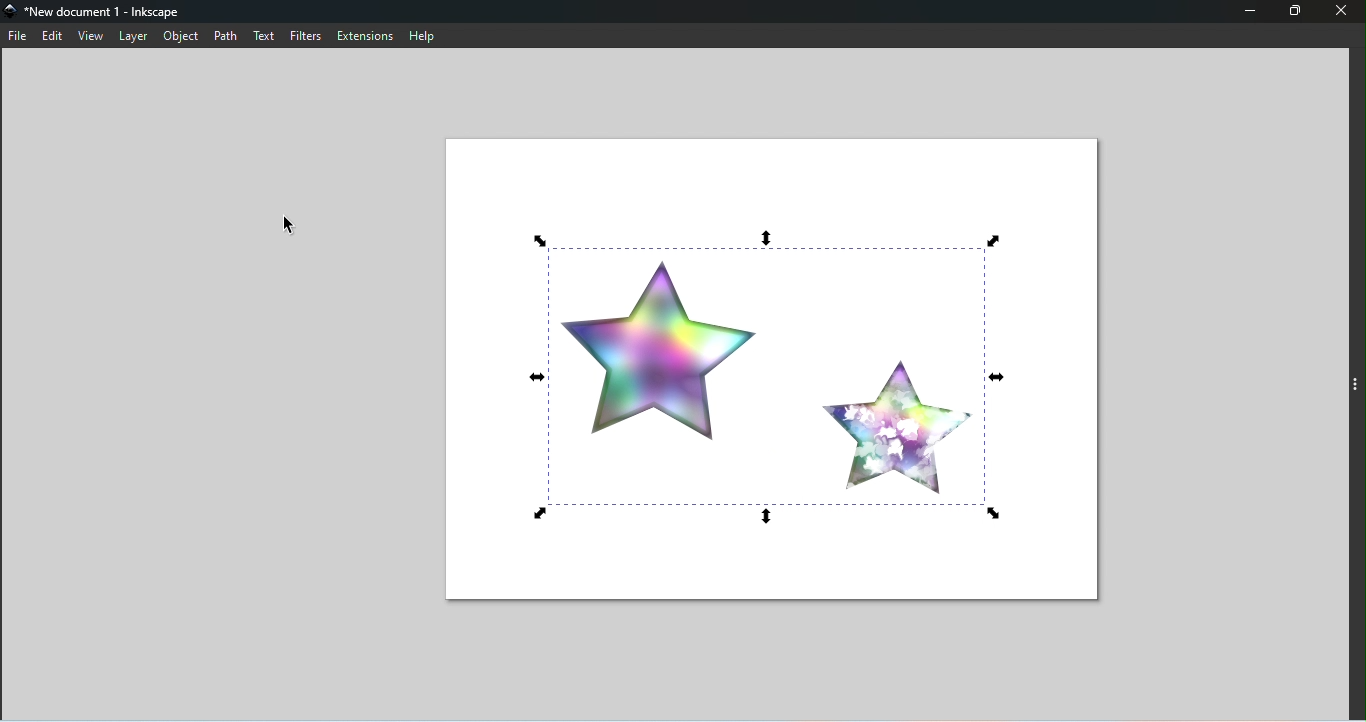 The height and width of the screenshot is (722, 1366). Describe the element at coordinates (368, 35) in the screenshot. I see `Extensions` at that location.